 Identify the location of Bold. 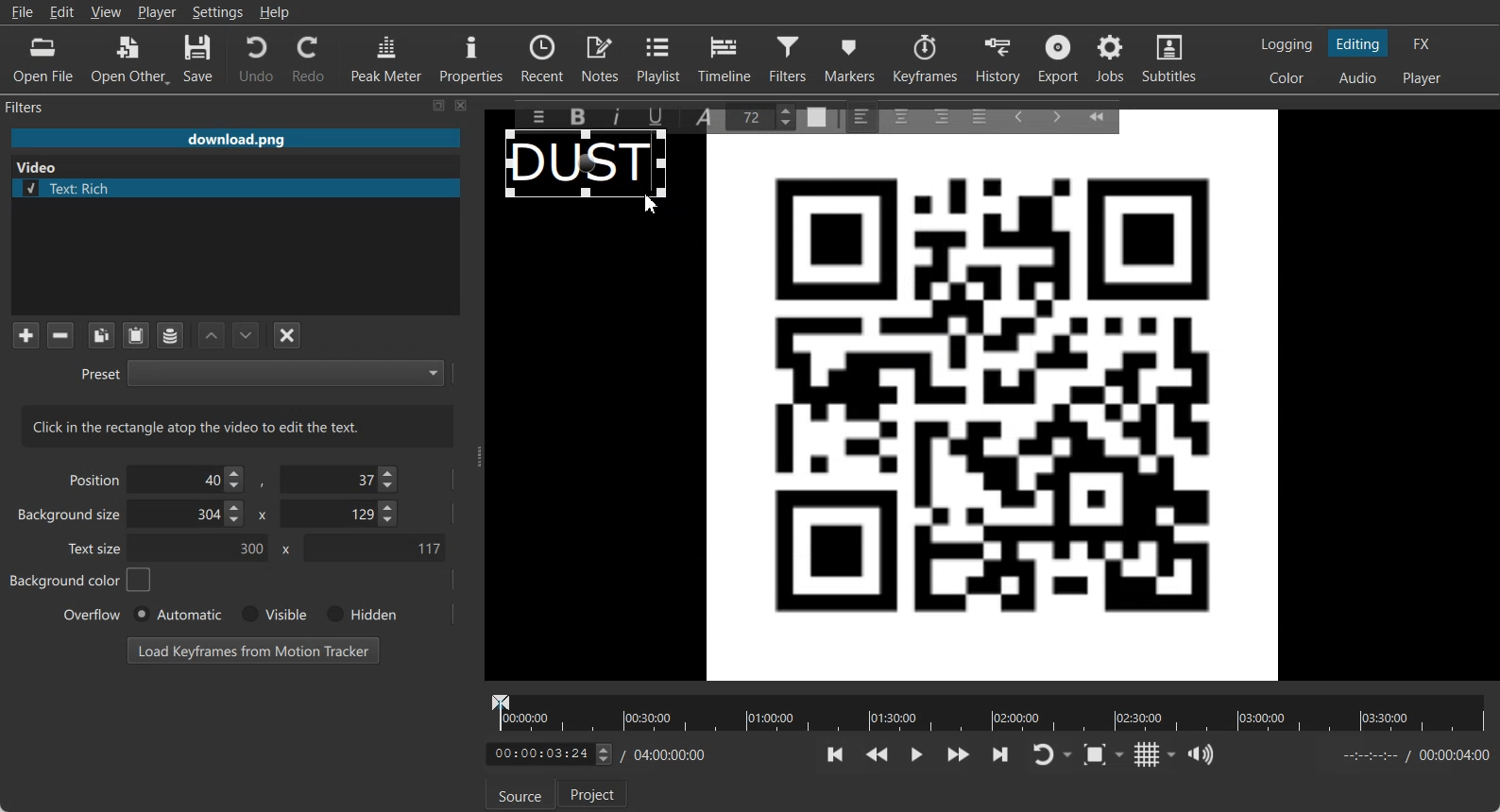
(576, 117).